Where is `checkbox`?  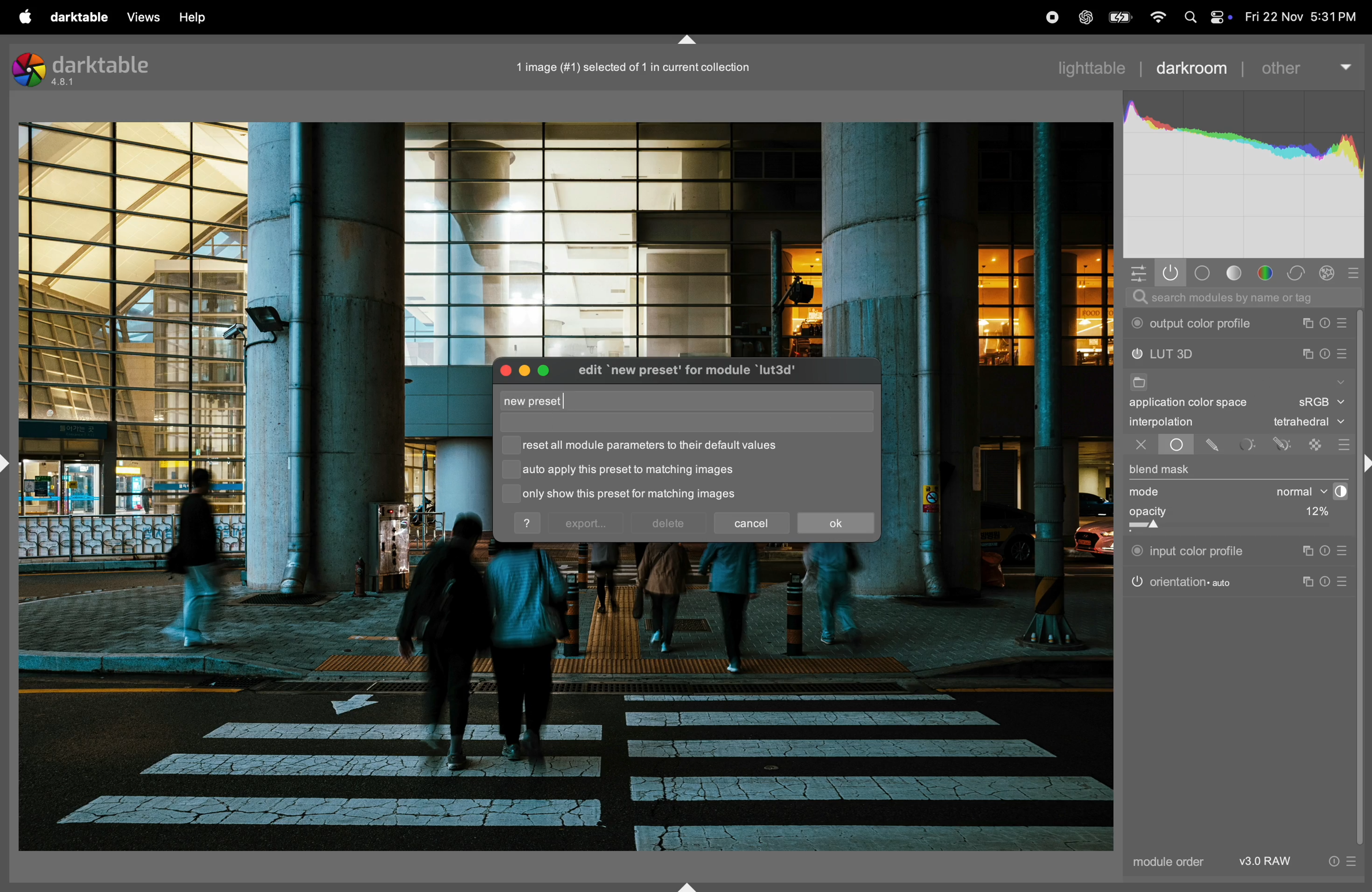 checkbox is located at coordinates (508, 493).